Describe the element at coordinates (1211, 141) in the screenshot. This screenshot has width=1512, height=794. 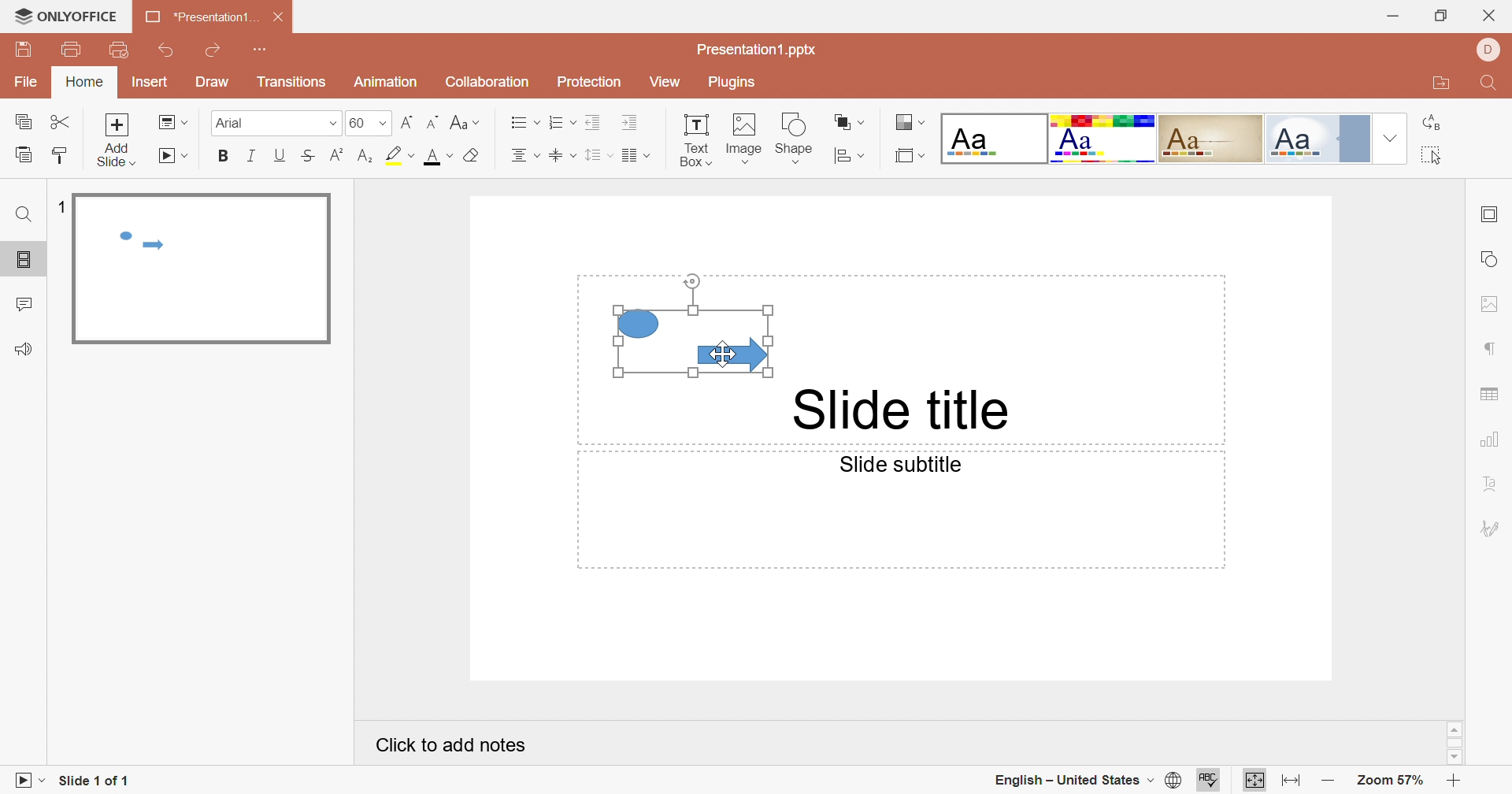
I see `Classic` at that location.